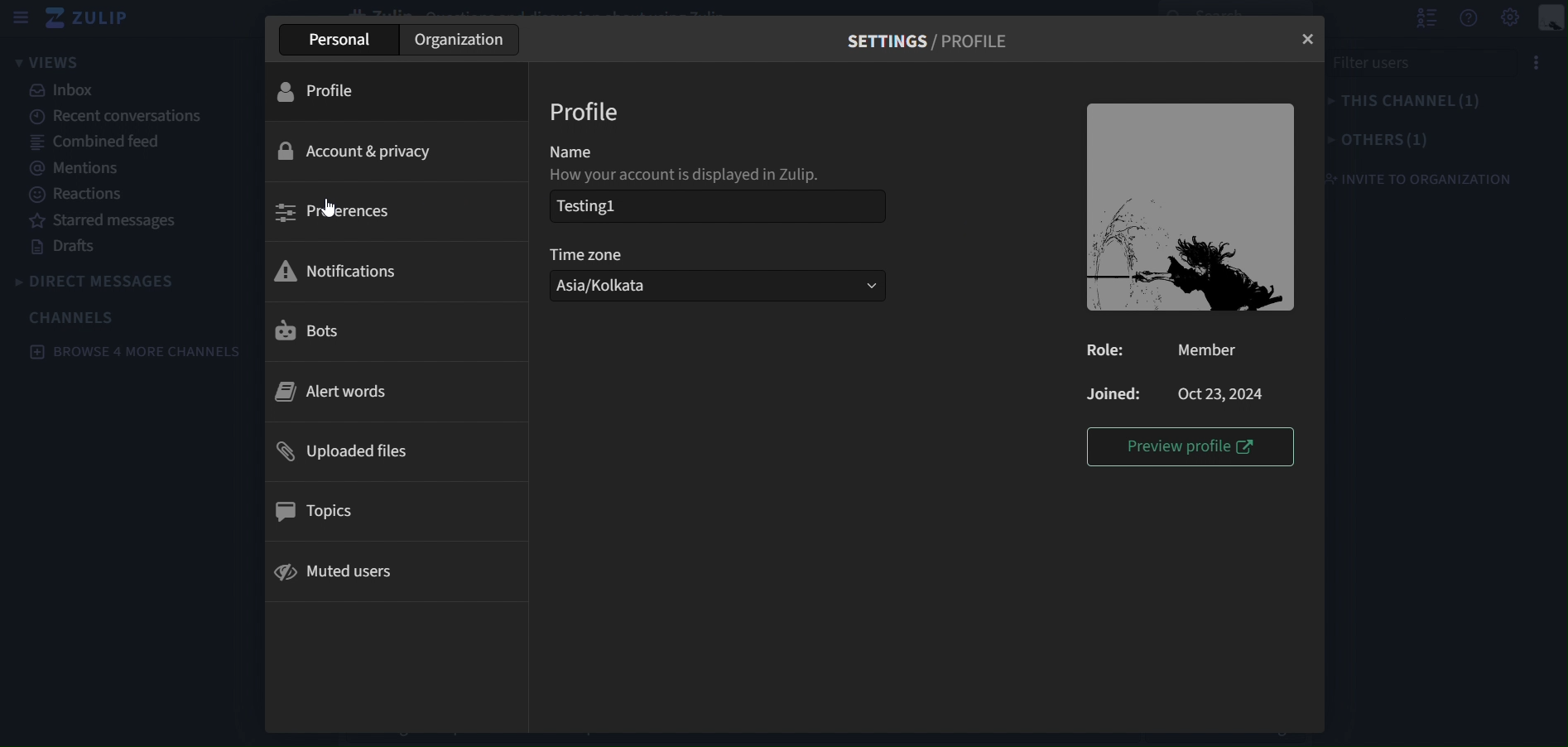  Describe the element at coordinates (1427, 19) in the screenshot. I see `hide user list` at that location.